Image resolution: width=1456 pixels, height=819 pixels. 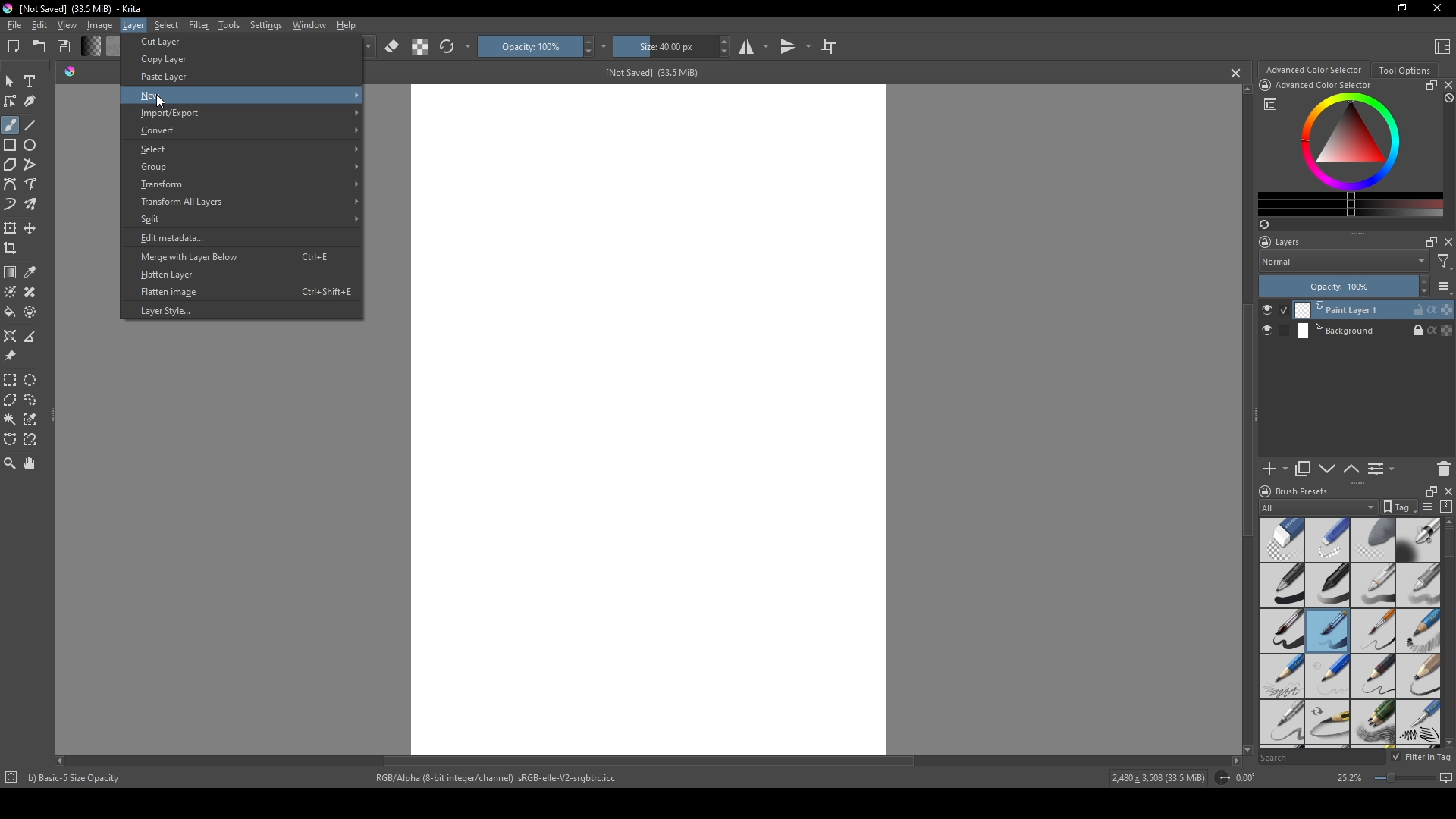 What do you see at coordinates (1326, 539) in the screenshot?
I see `hard eraser` at bounding box center [1326, 539].